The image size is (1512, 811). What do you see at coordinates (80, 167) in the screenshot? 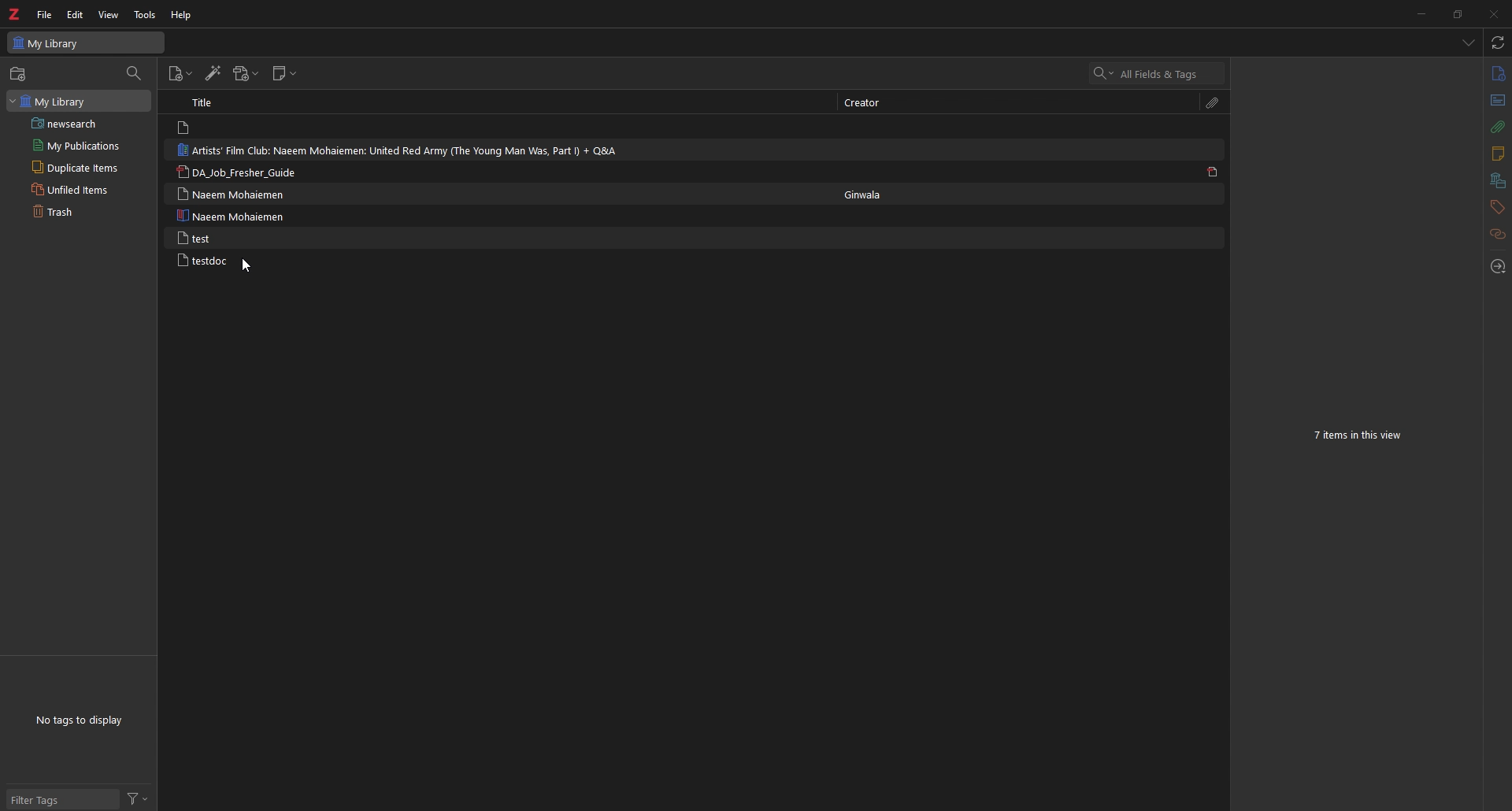
I see `Duplicate items` at bounding box center [80, 167].